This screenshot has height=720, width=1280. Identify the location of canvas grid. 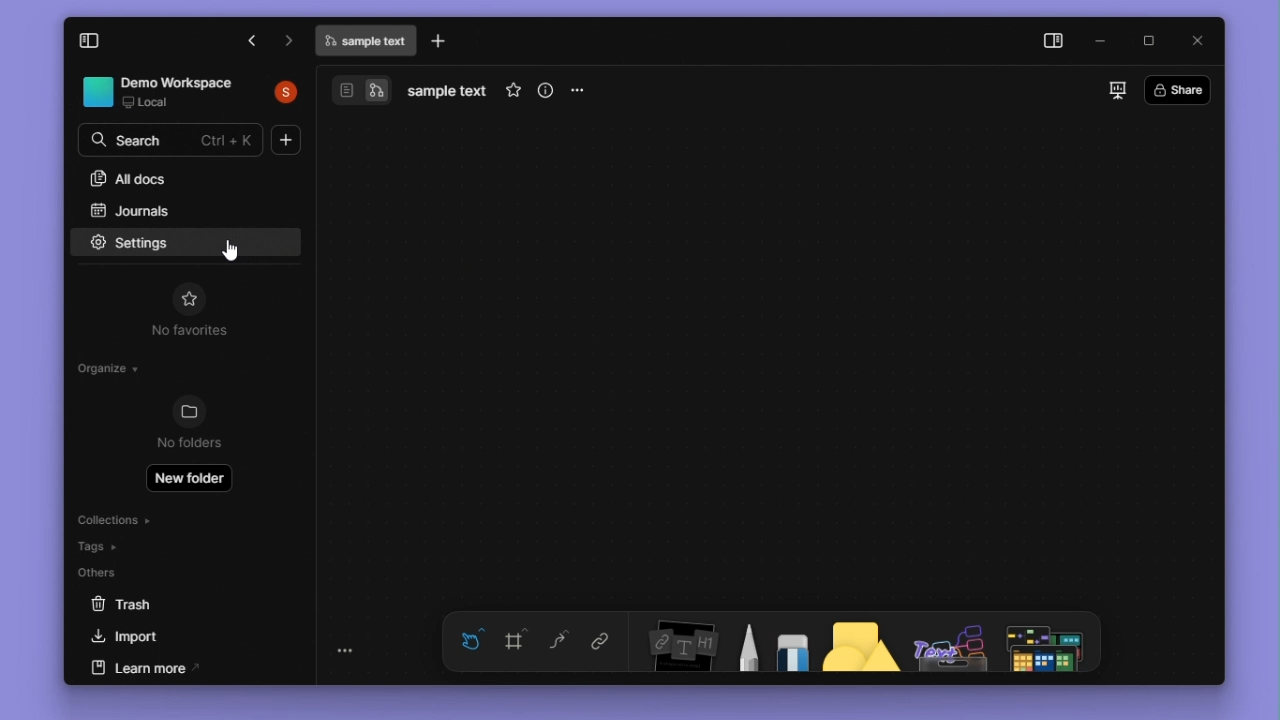
(759, 358).